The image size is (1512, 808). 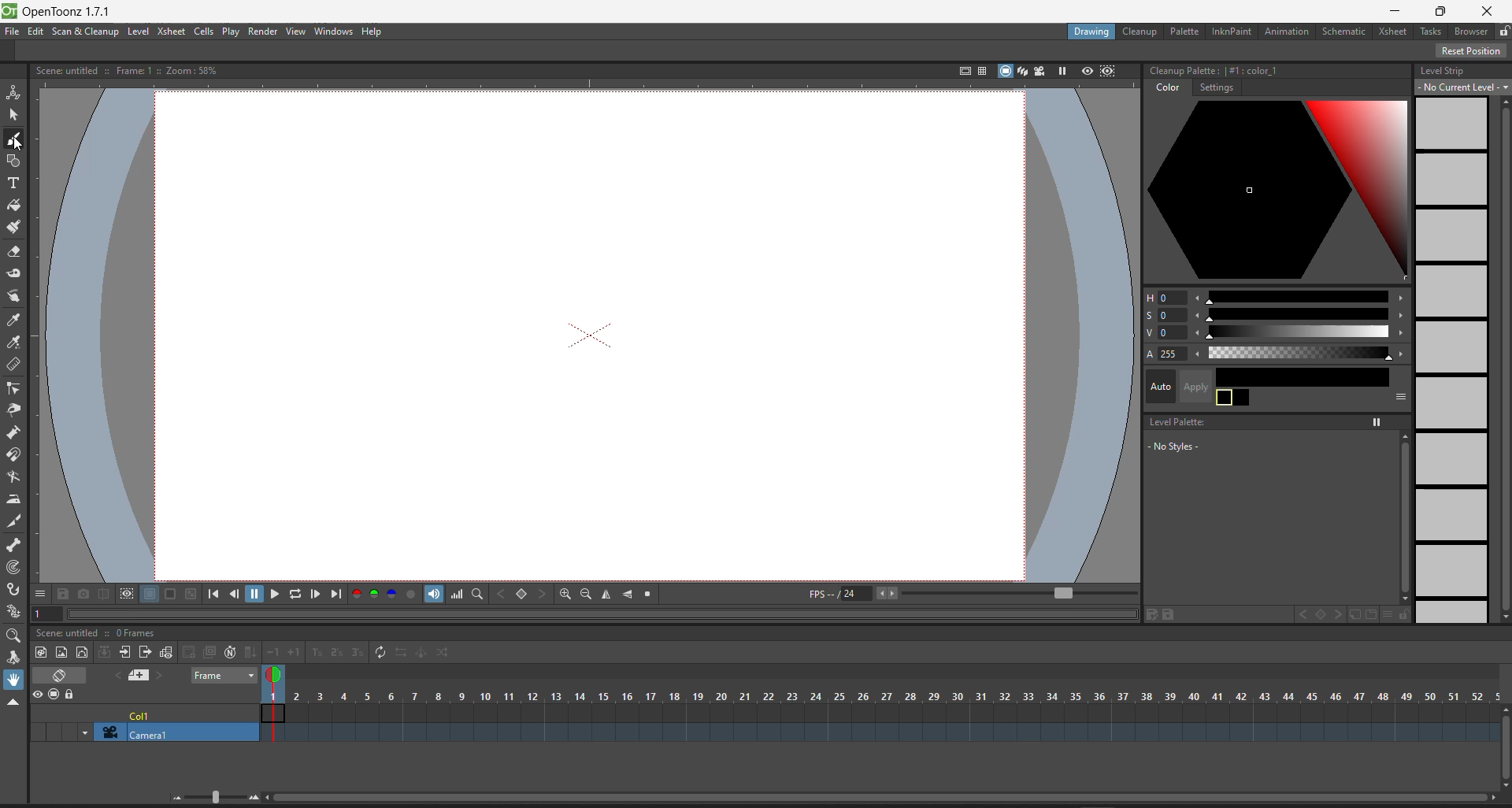 What do you see at coordinates (14, 589) in the screenshot?
I see `hook tool` at bounding box center [14, 589].